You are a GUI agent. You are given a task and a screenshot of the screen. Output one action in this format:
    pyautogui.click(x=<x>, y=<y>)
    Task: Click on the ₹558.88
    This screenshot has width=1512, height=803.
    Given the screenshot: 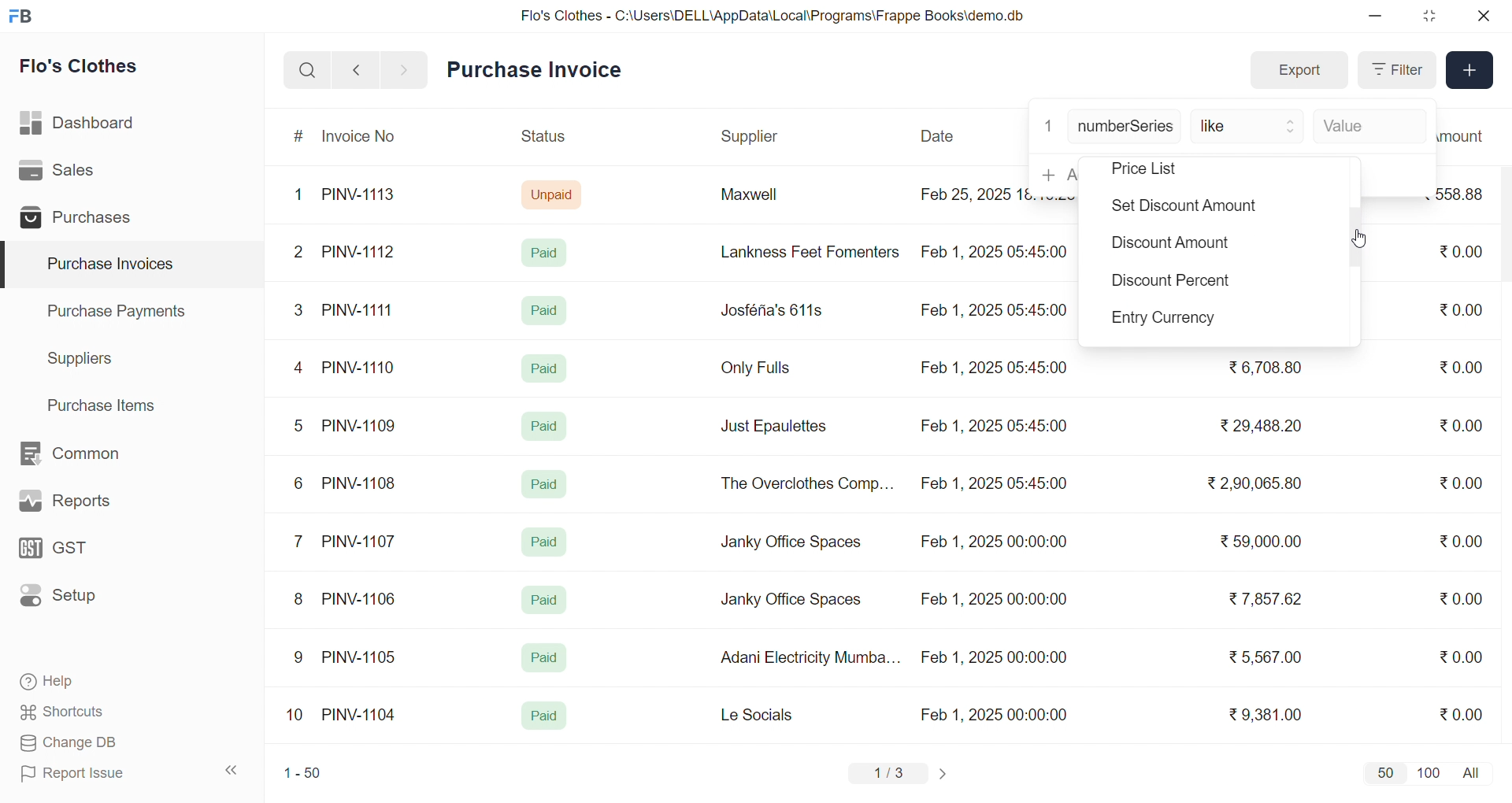 What is the action you would take?
    pyautogui.click(x=1466, y=194)
    